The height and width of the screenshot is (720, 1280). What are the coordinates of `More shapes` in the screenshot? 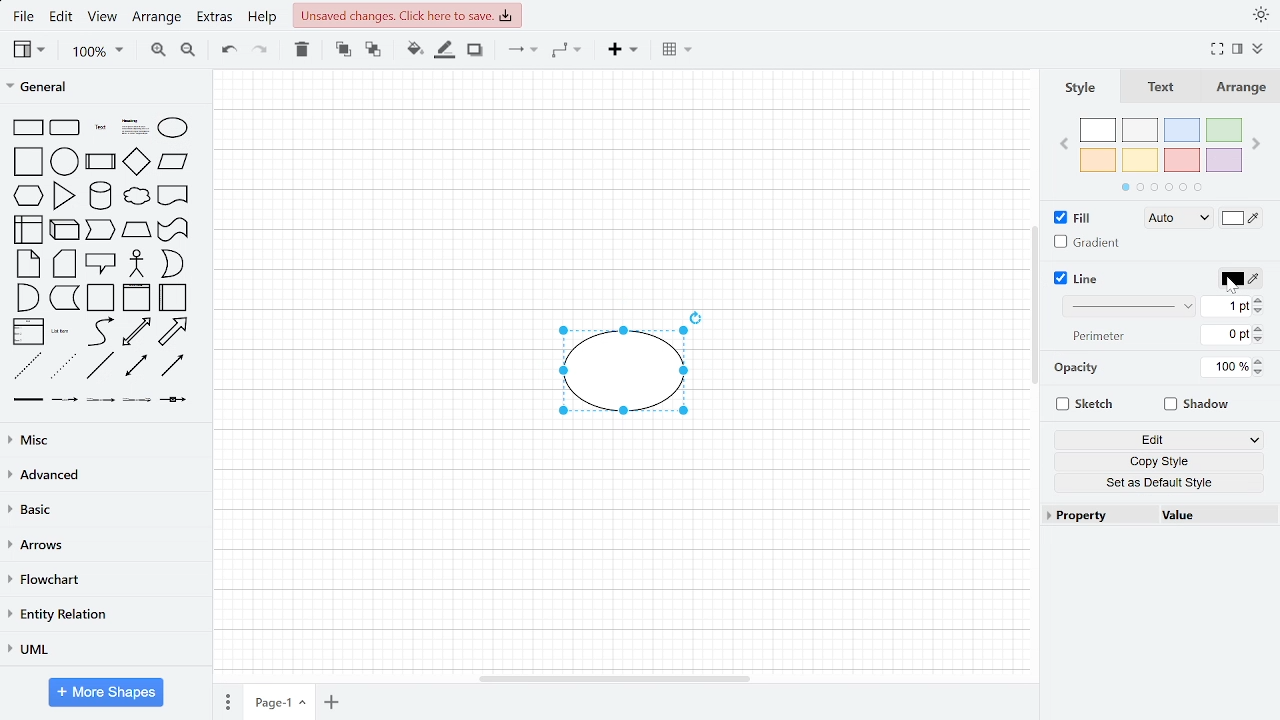 It's located at (106, 692).